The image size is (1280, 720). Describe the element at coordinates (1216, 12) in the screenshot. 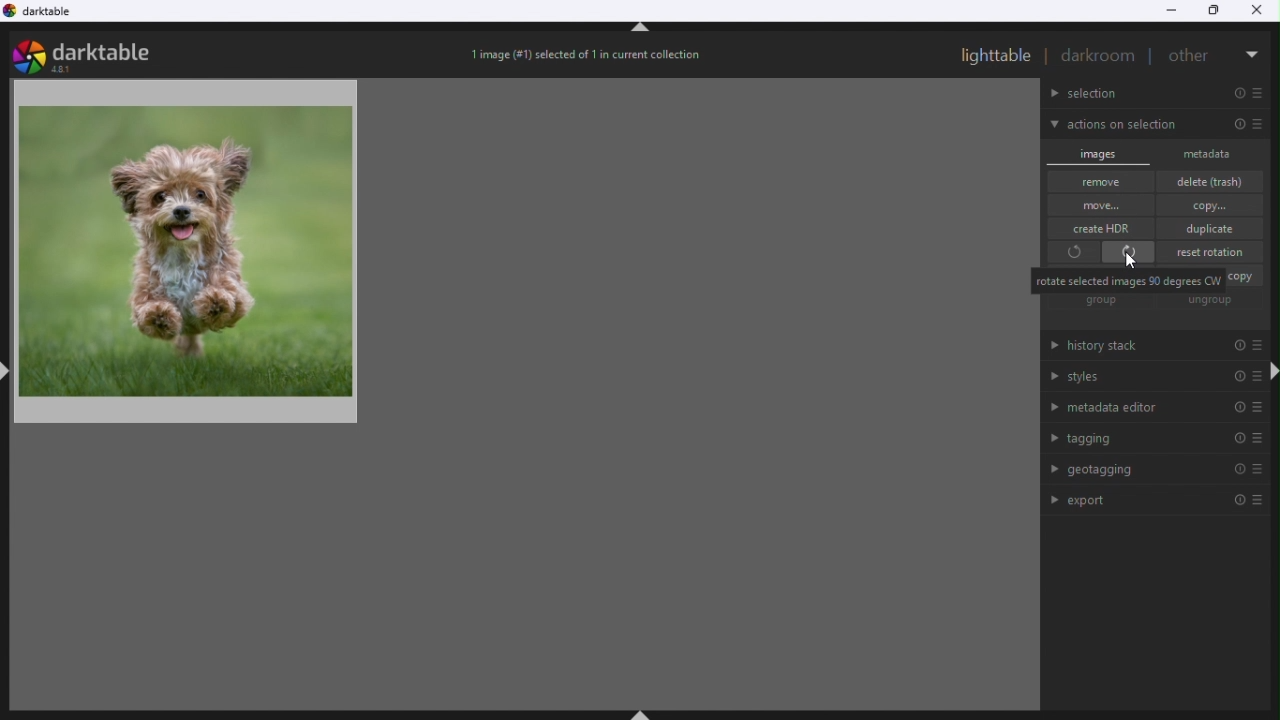

I see `Restore` at that location.